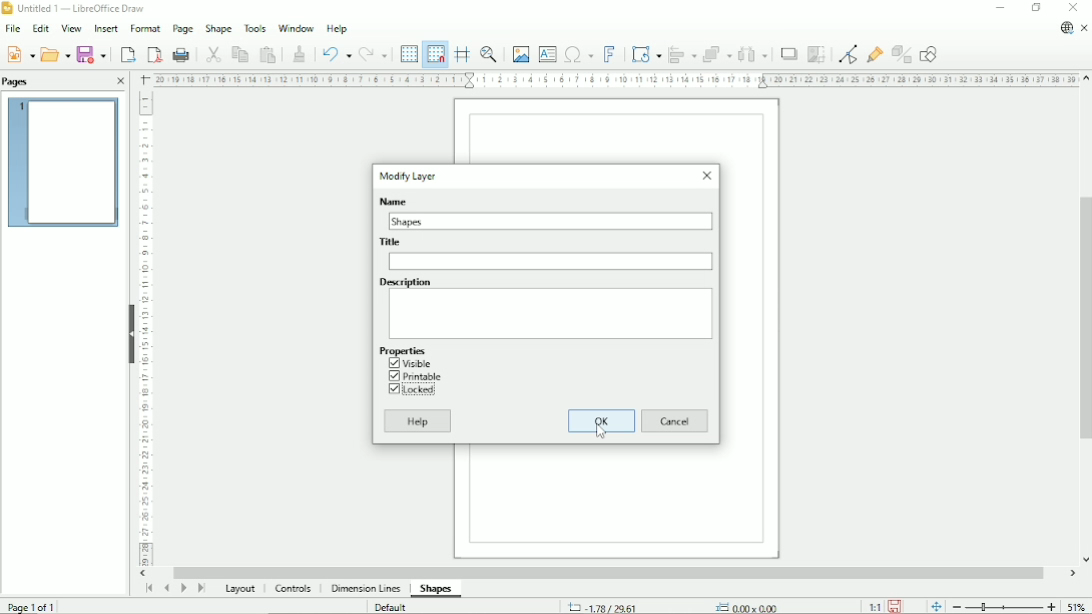  Describe the element at coordinates (392, 200) in the screenshot. I see `Name` at that location.